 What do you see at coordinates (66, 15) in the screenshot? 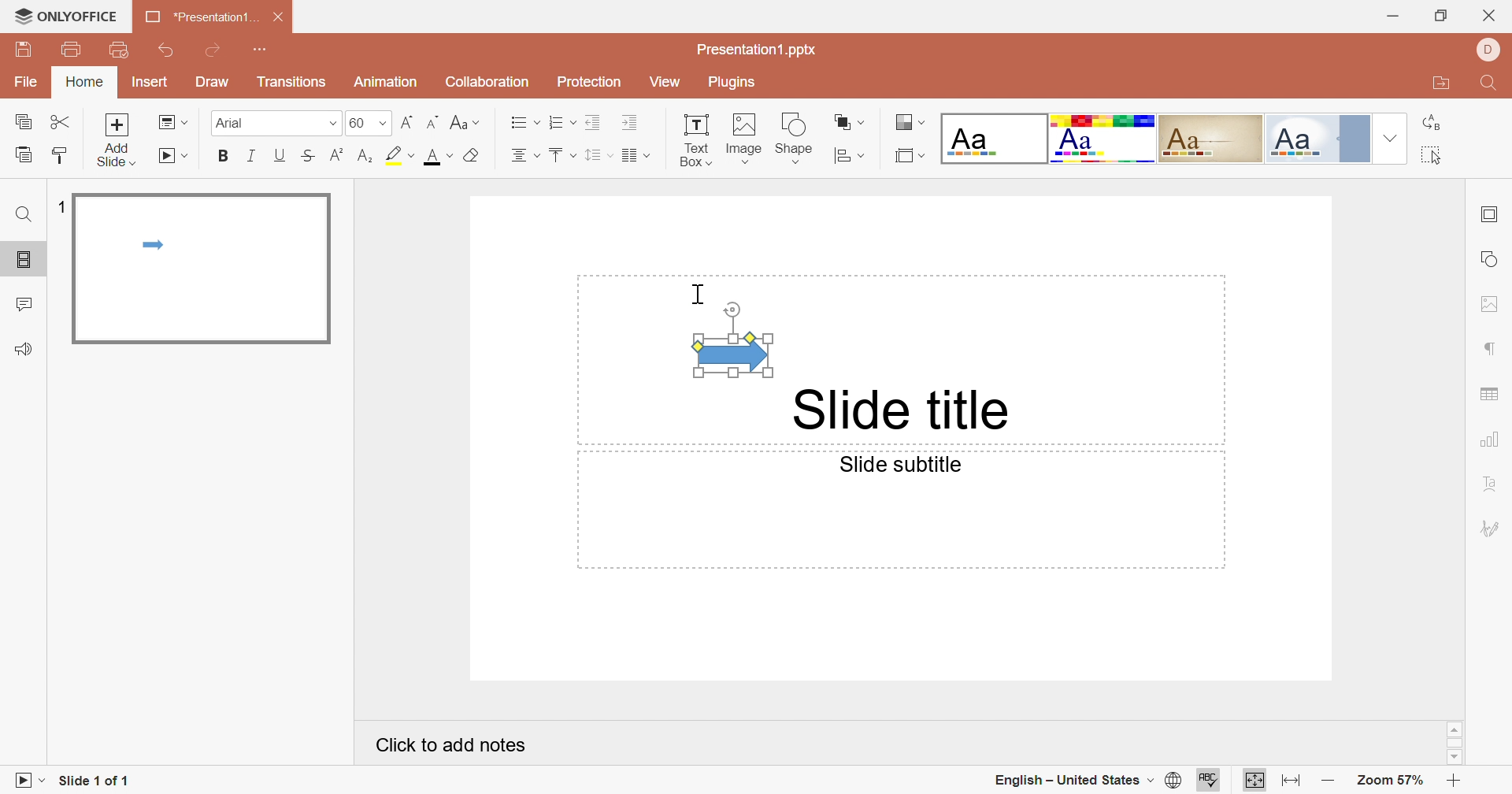
I see `ONLYOFFICE` at bounding box center [66, 15].